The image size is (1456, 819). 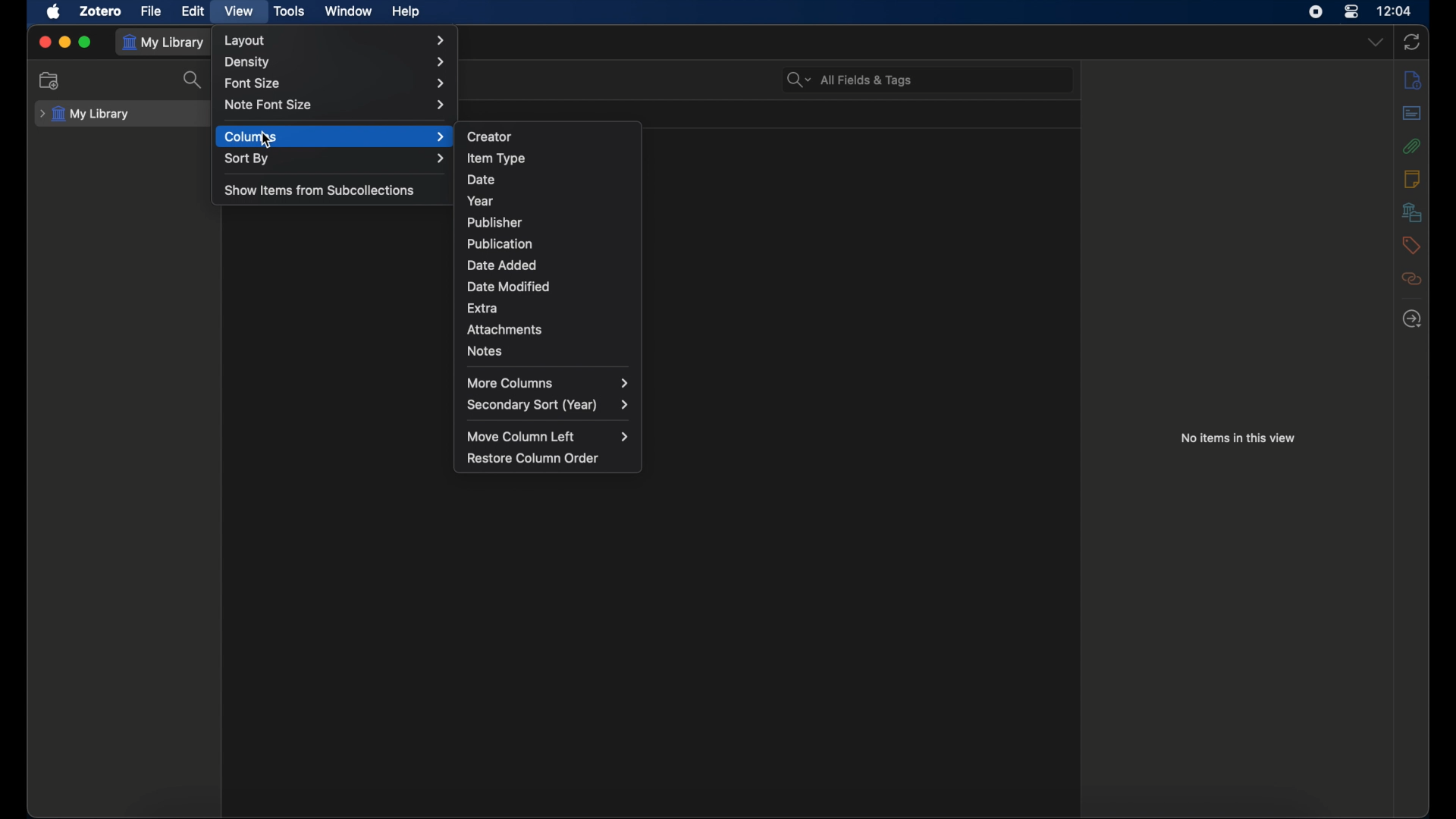 What do you see at coordinates (499, 243) in the screenshot?
I see `publication` at bounding box center [499, 243].